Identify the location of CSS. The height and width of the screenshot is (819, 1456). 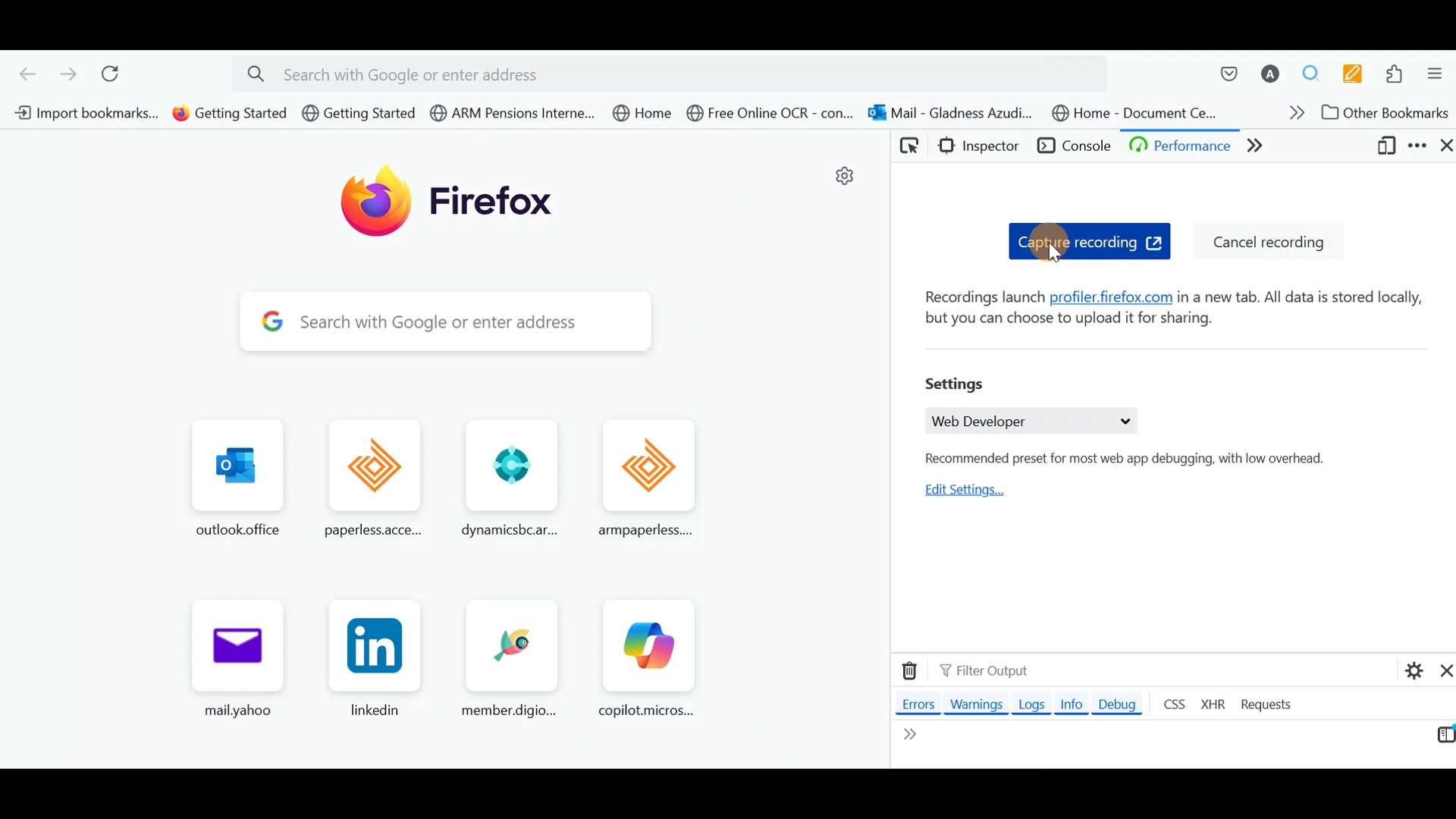
(1172, 703).